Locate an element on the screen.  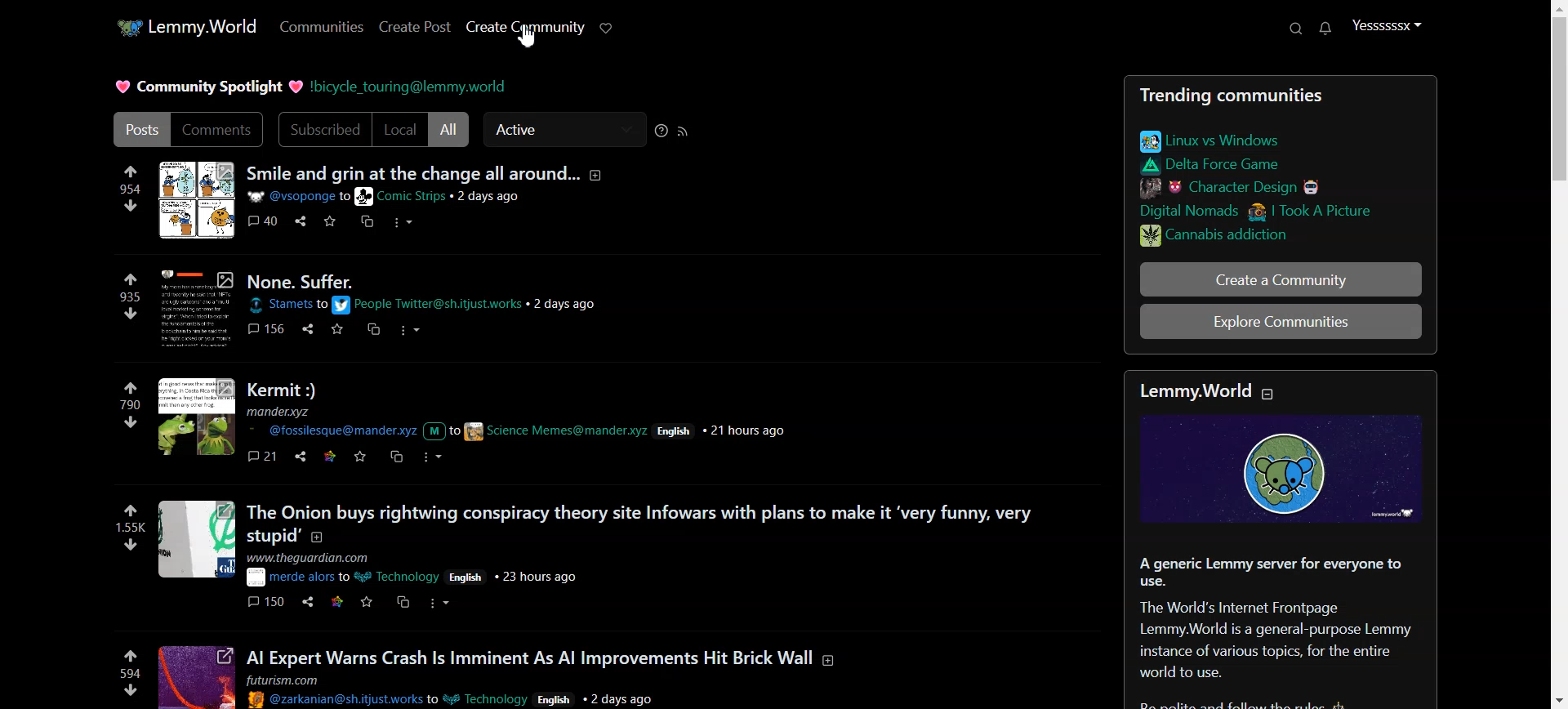
Active is located at coordinates (555, 129).